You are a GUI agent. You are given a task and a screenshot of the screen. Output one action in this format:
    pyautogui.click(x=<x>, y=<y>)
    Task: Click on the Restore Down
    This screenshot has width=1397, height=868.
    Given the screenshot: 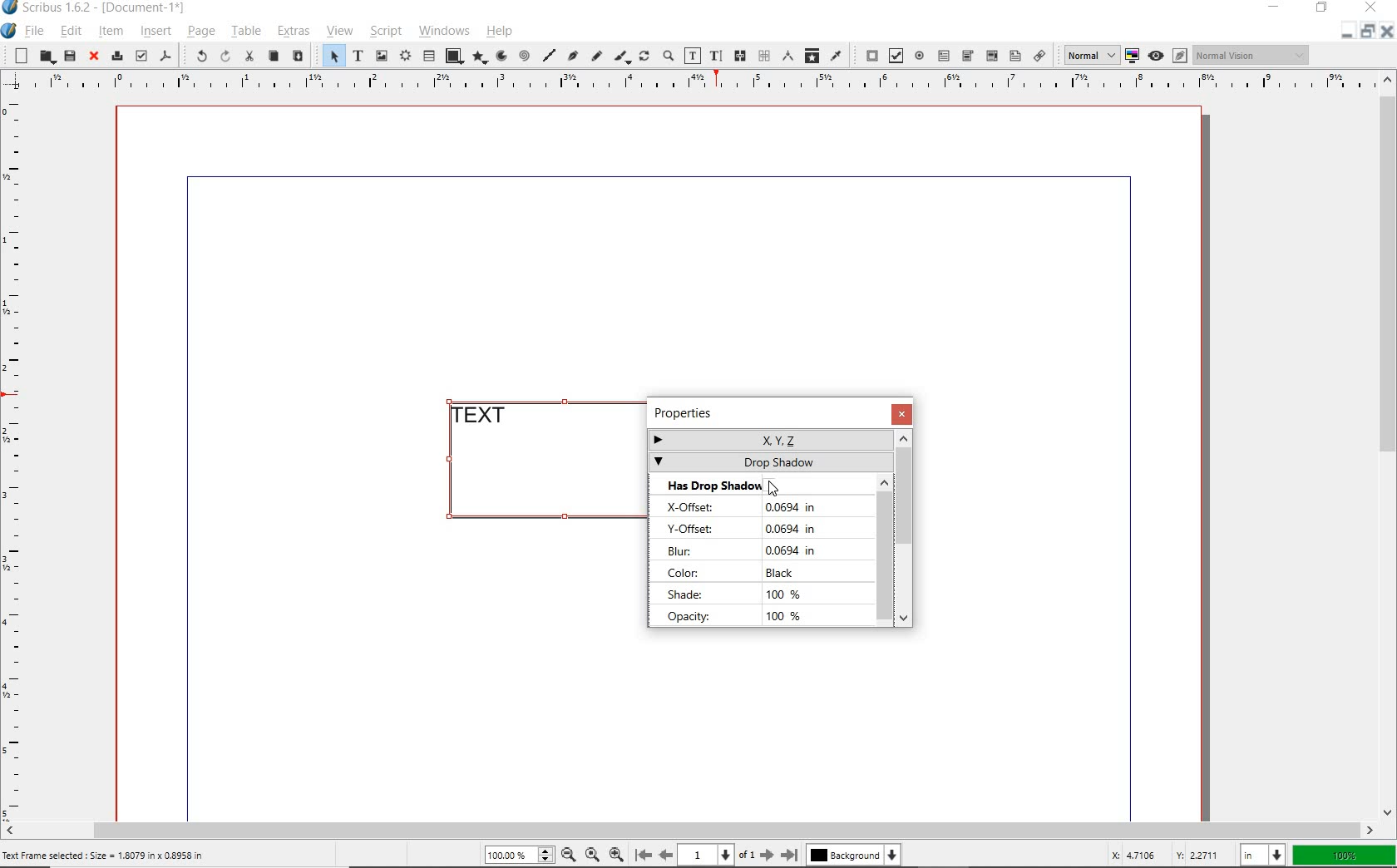 What is the action you would take?
    pyautogui.click(x=1346, y=31)
    